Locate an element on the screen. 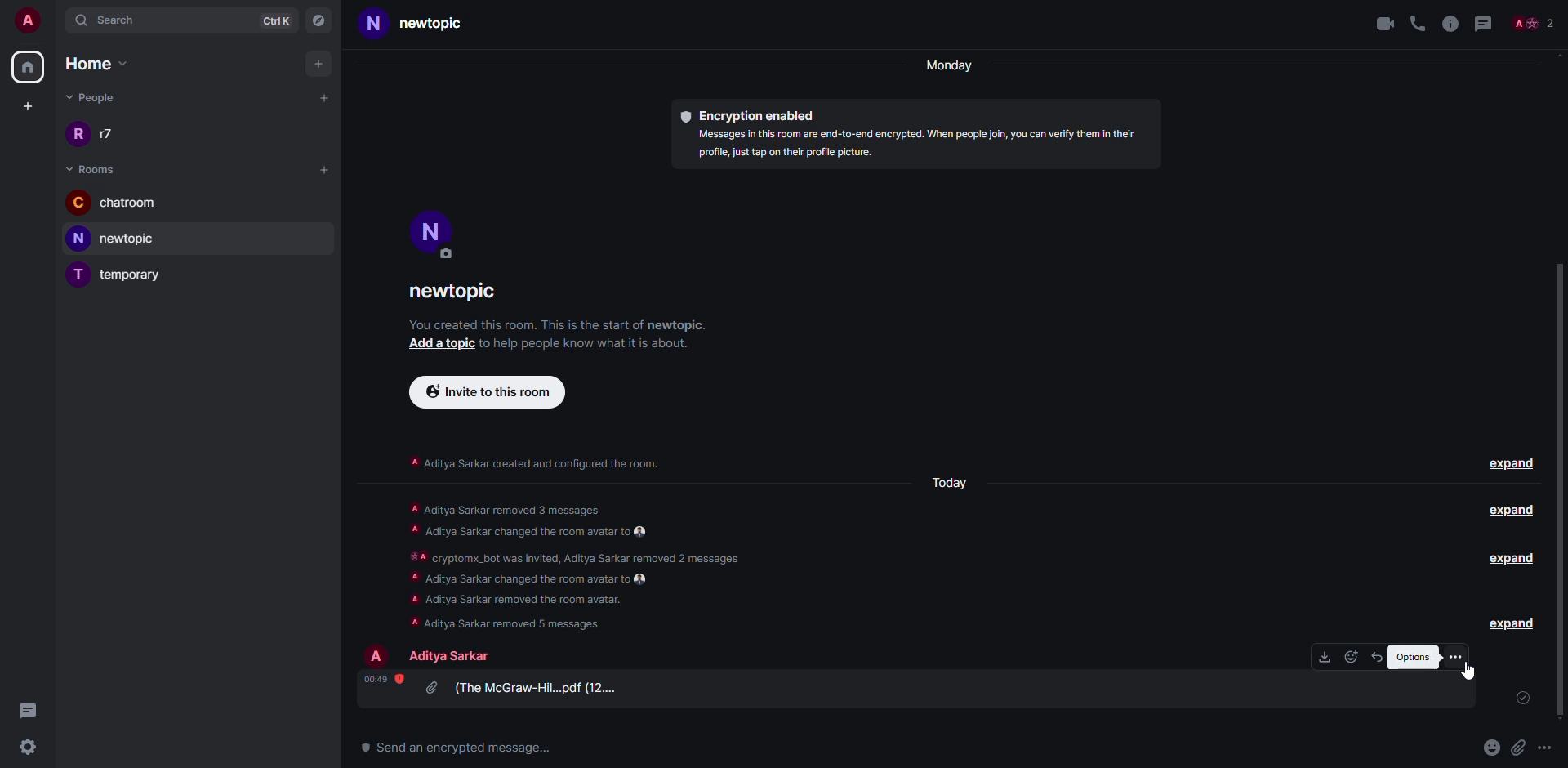 This screenshot has height=768, width=1568. options is located at coordinates (1412, 655).